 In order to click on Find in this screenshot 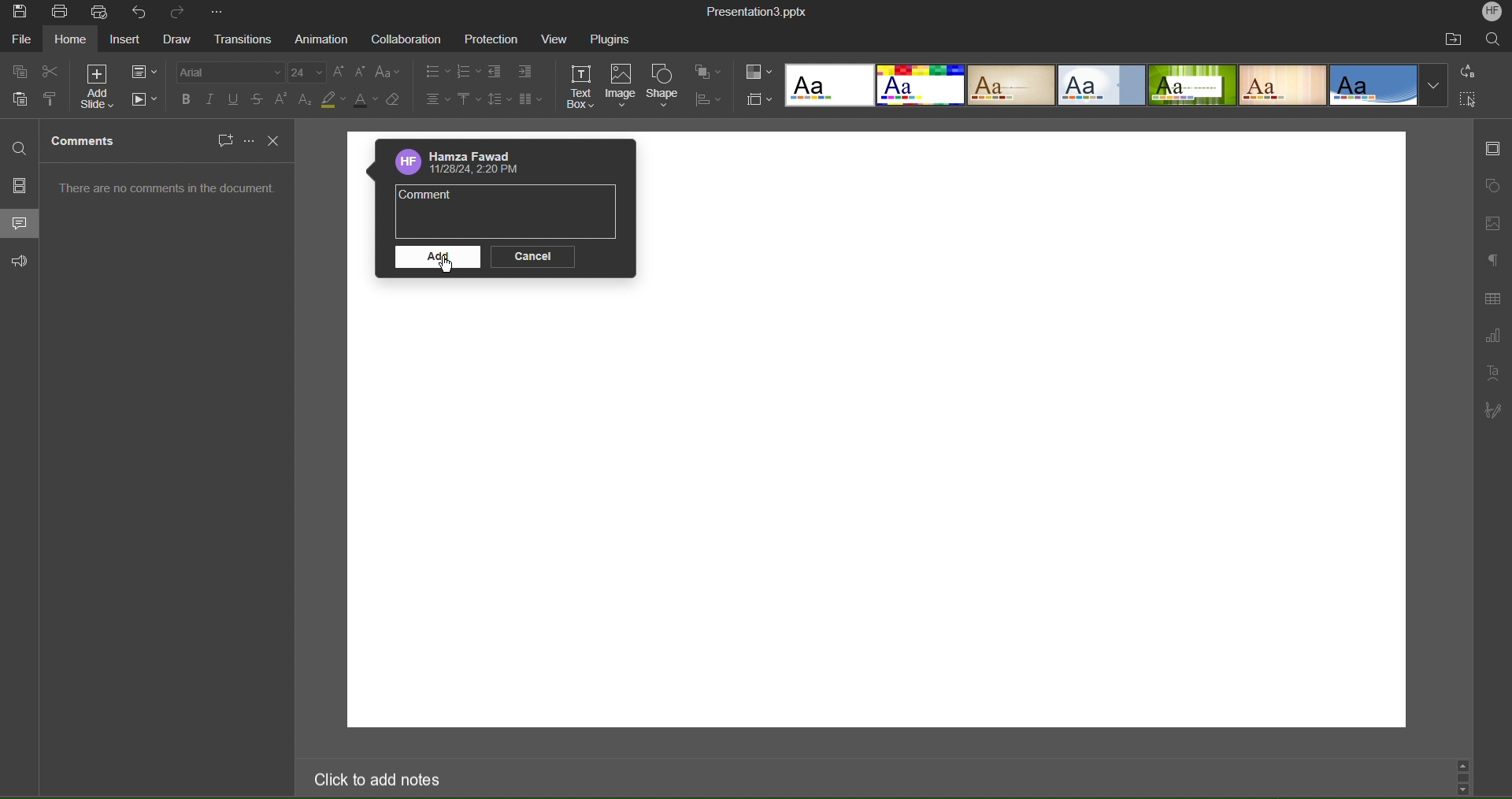, I will do `click(20, 150)`.